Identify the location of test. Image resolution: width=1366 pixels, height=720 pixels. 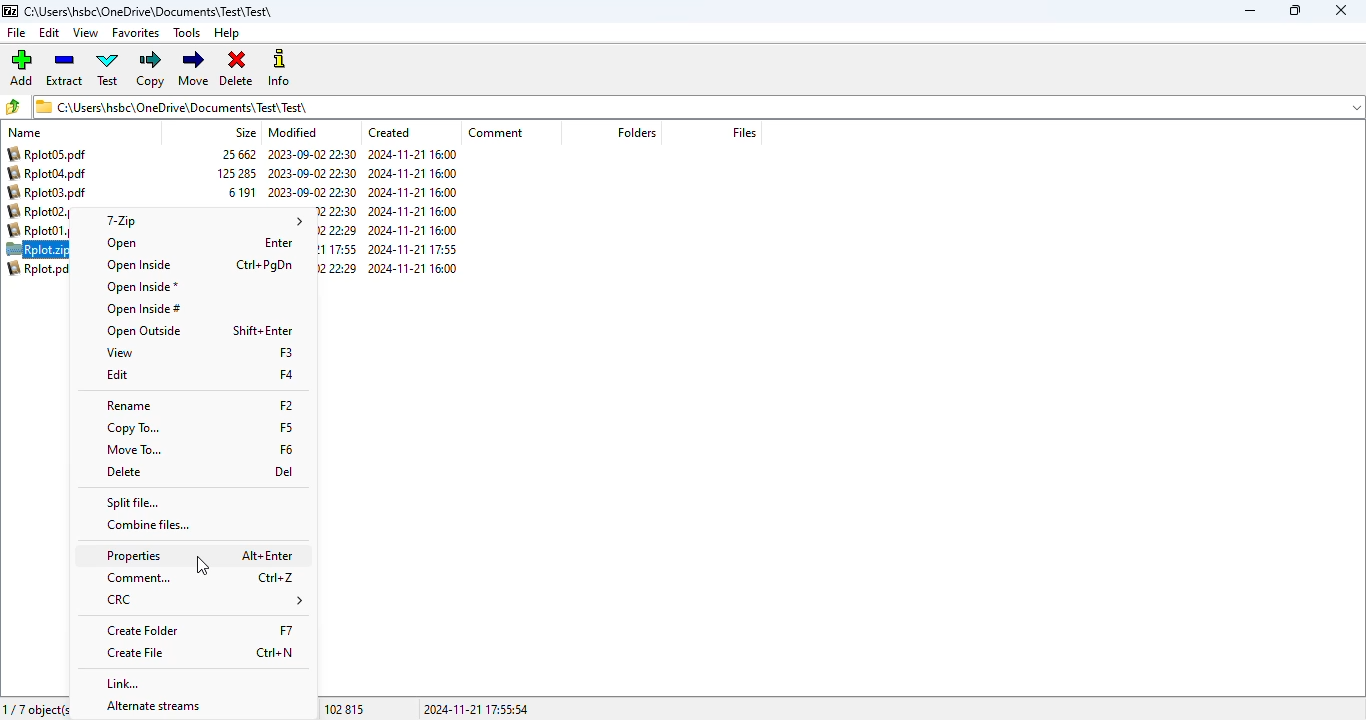
(108, 68).